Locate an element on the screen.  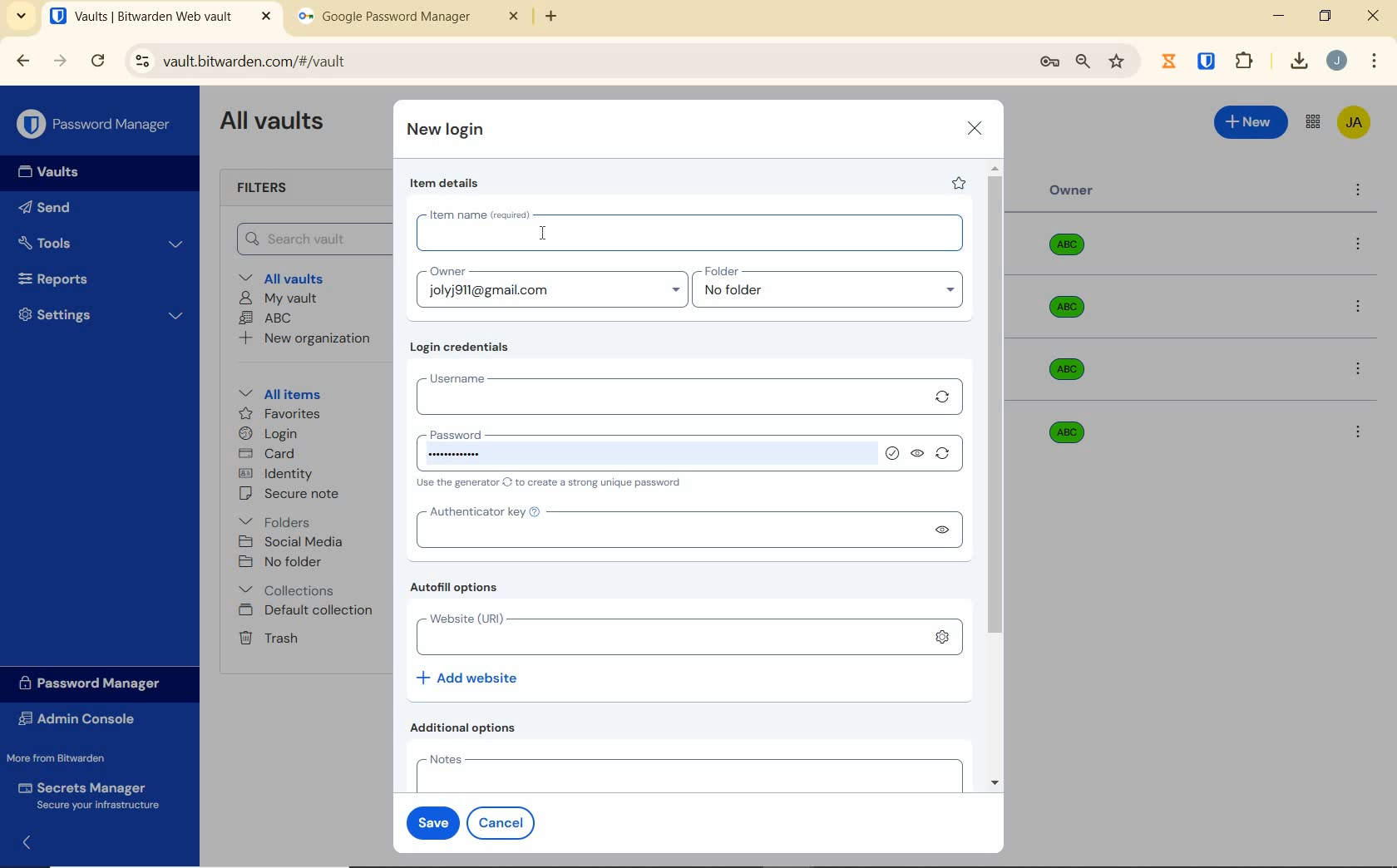
Authenticator key is located at coordinates (667, 528).